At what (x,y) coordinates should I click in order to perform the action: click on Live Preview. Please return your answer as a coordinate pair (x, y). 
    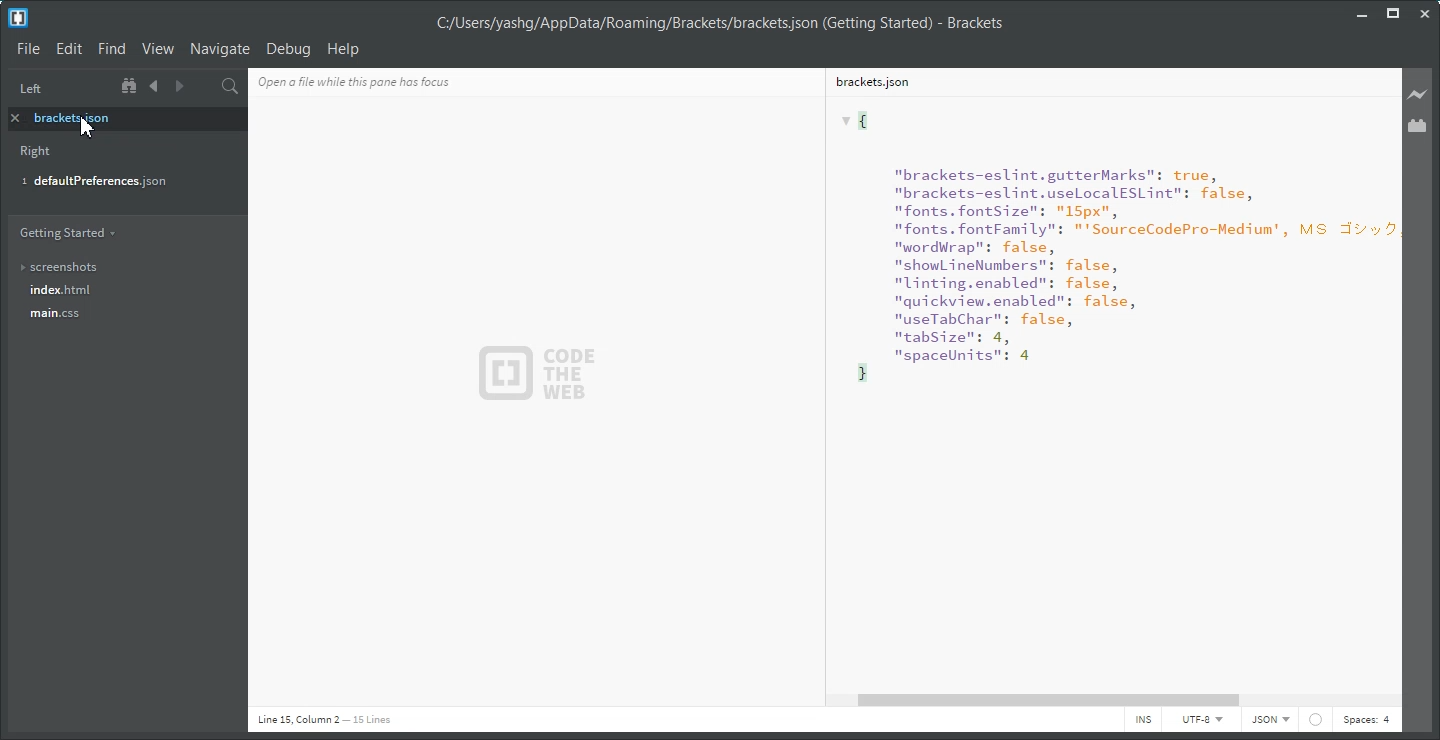
    Looking at the image, I should click on (1418, 94).